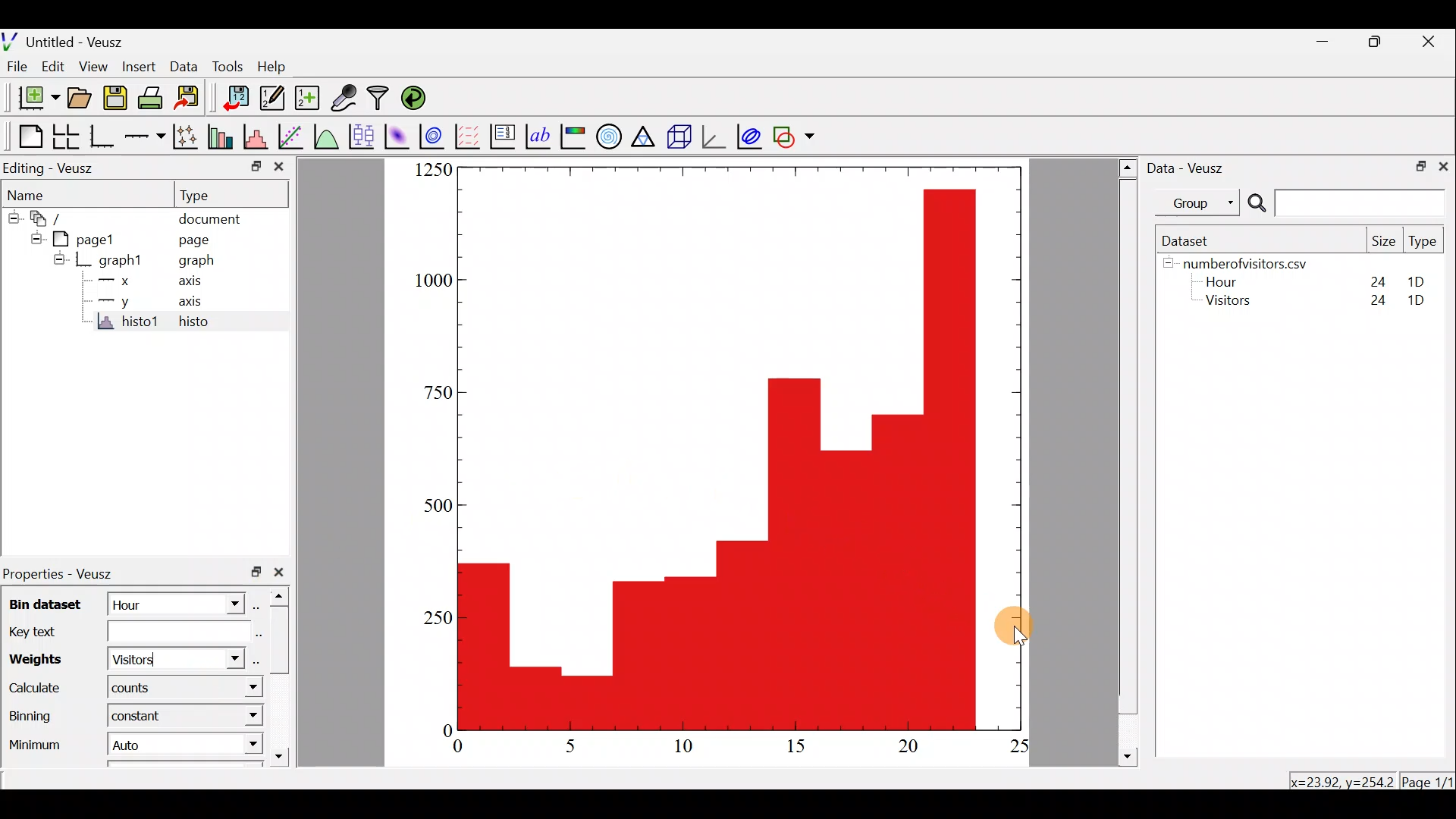  What do you see at coordinates (1339, 780) in the screenshot?
I see `x=23.92 v=254.2` at bounding box center [1339, 780].